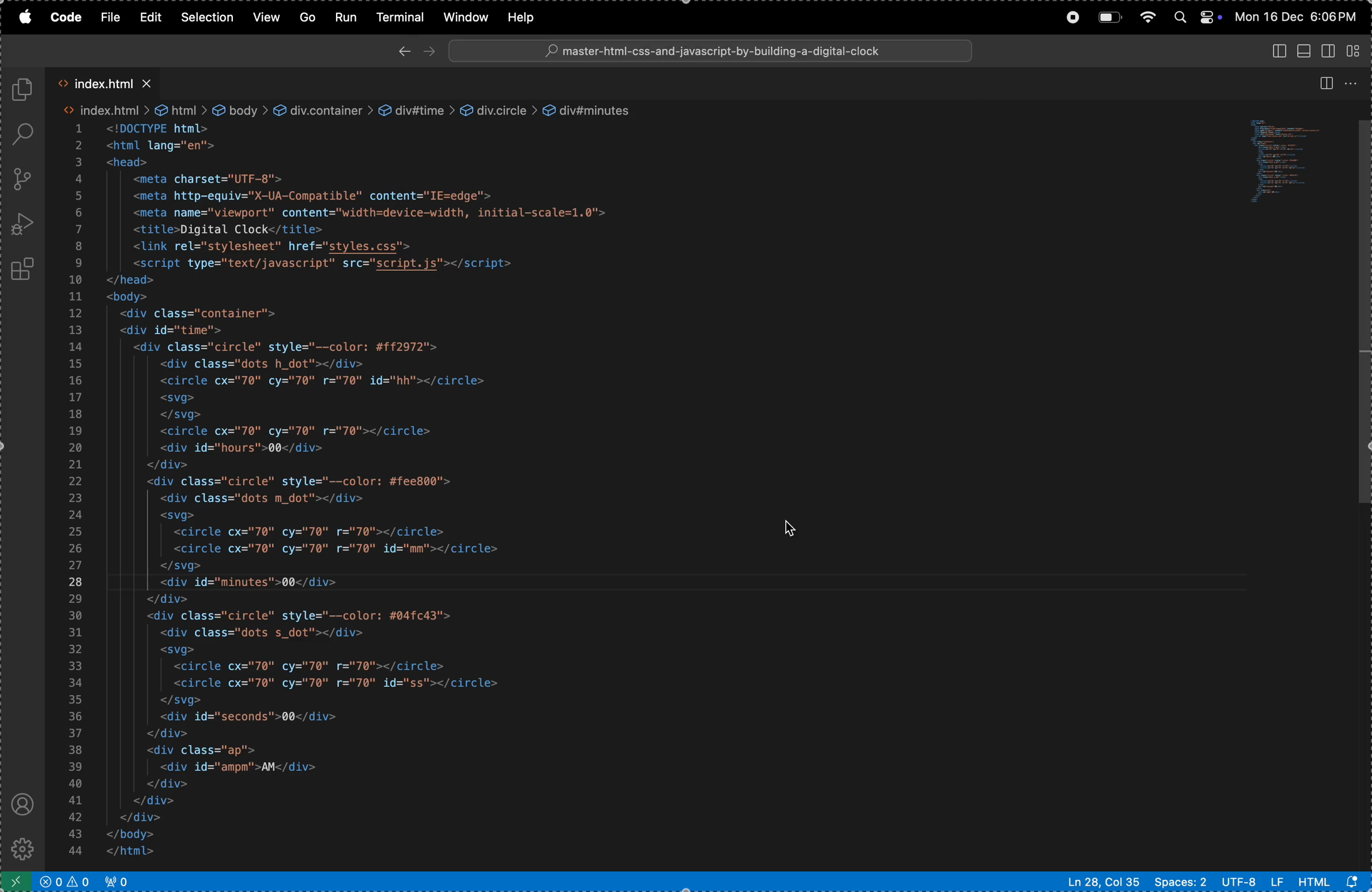  Describe the element at coordinates (1333, 881) in the screenshot. I see `html alert` at that location.